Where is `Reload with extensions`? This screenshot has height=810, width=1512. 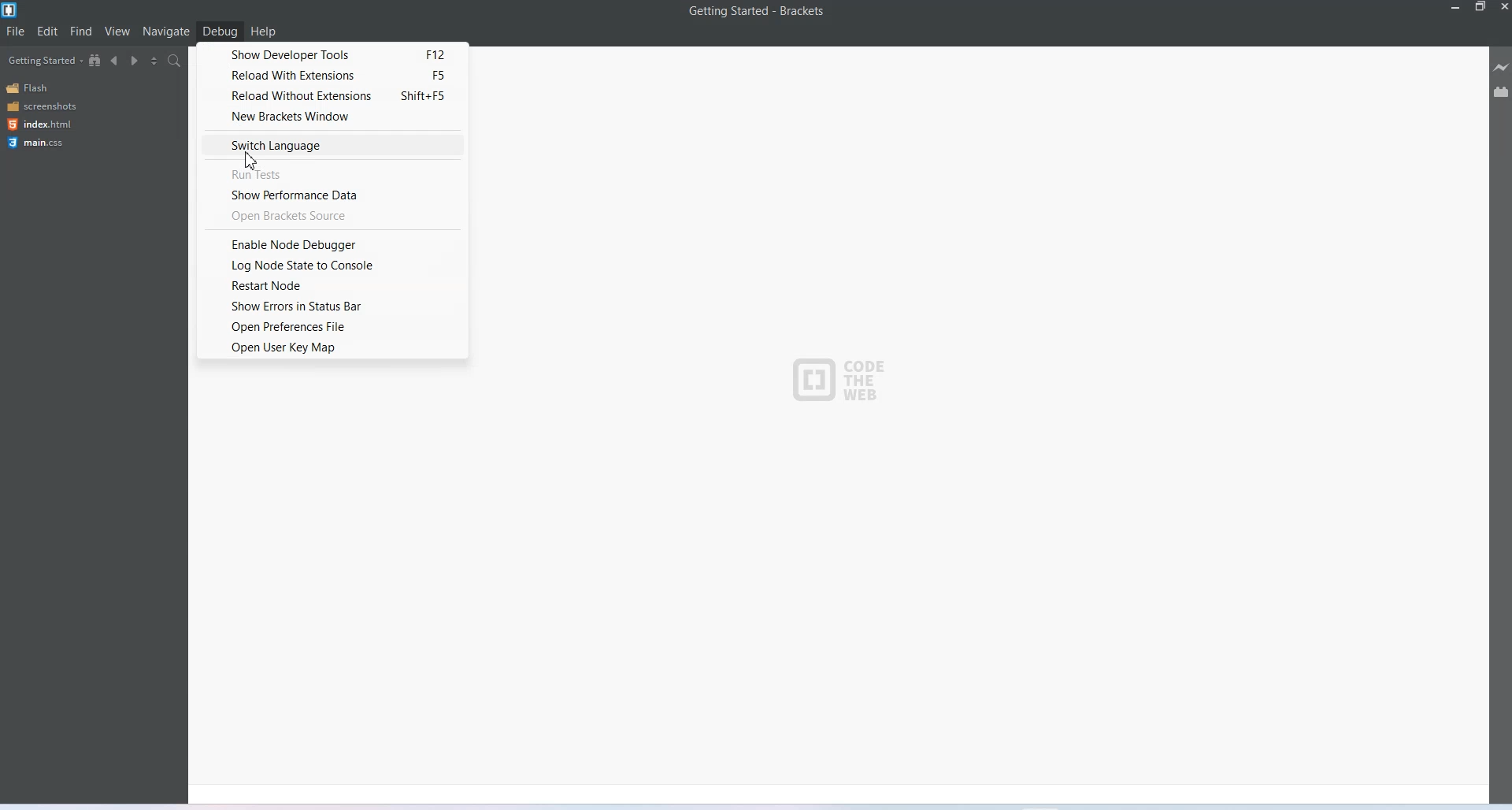 Reload with extensions is located at coordinates (330, 75).